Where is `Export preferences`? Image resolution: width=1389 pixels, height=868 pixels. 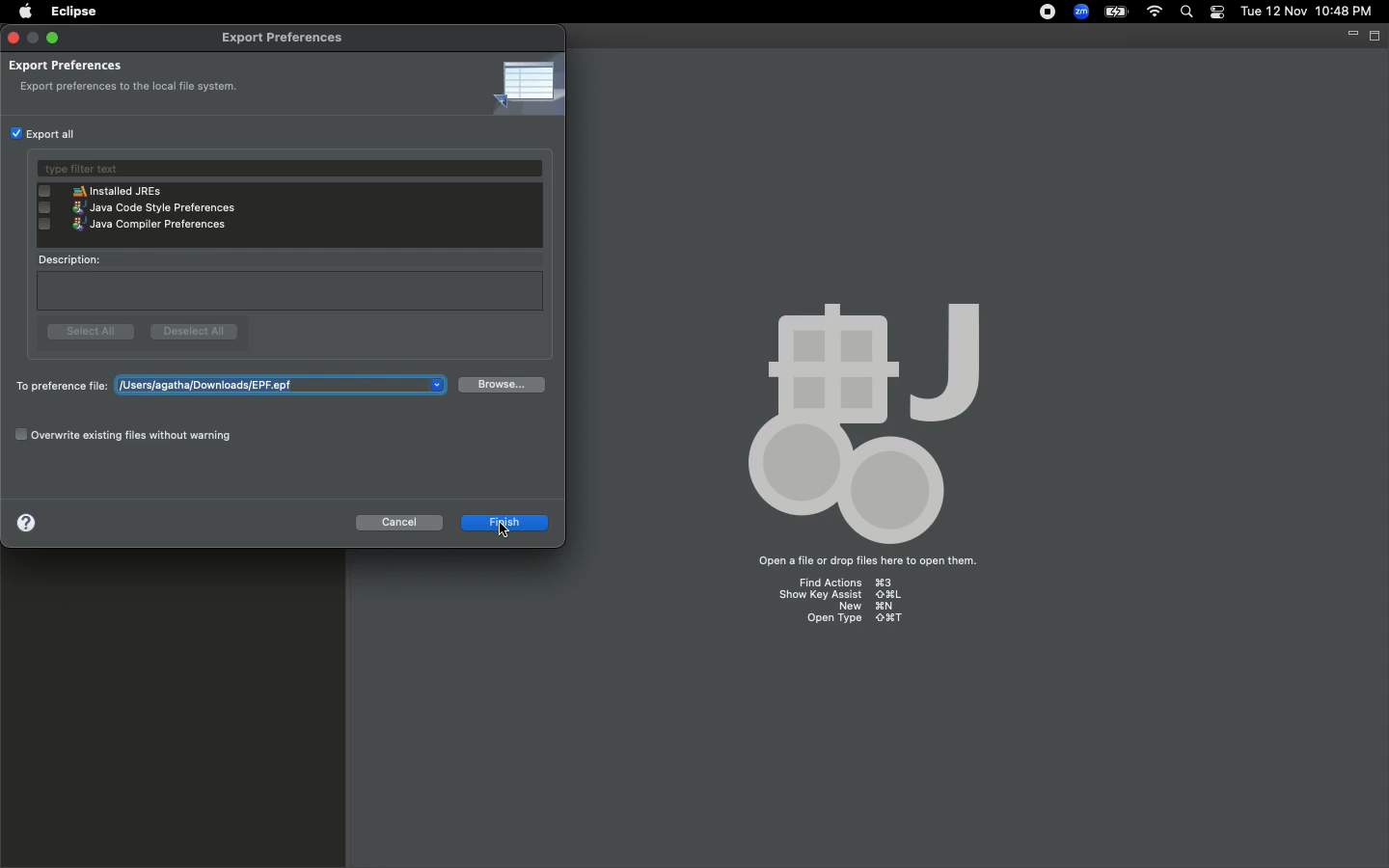
Export preferences is located at coordinates (287, 40).